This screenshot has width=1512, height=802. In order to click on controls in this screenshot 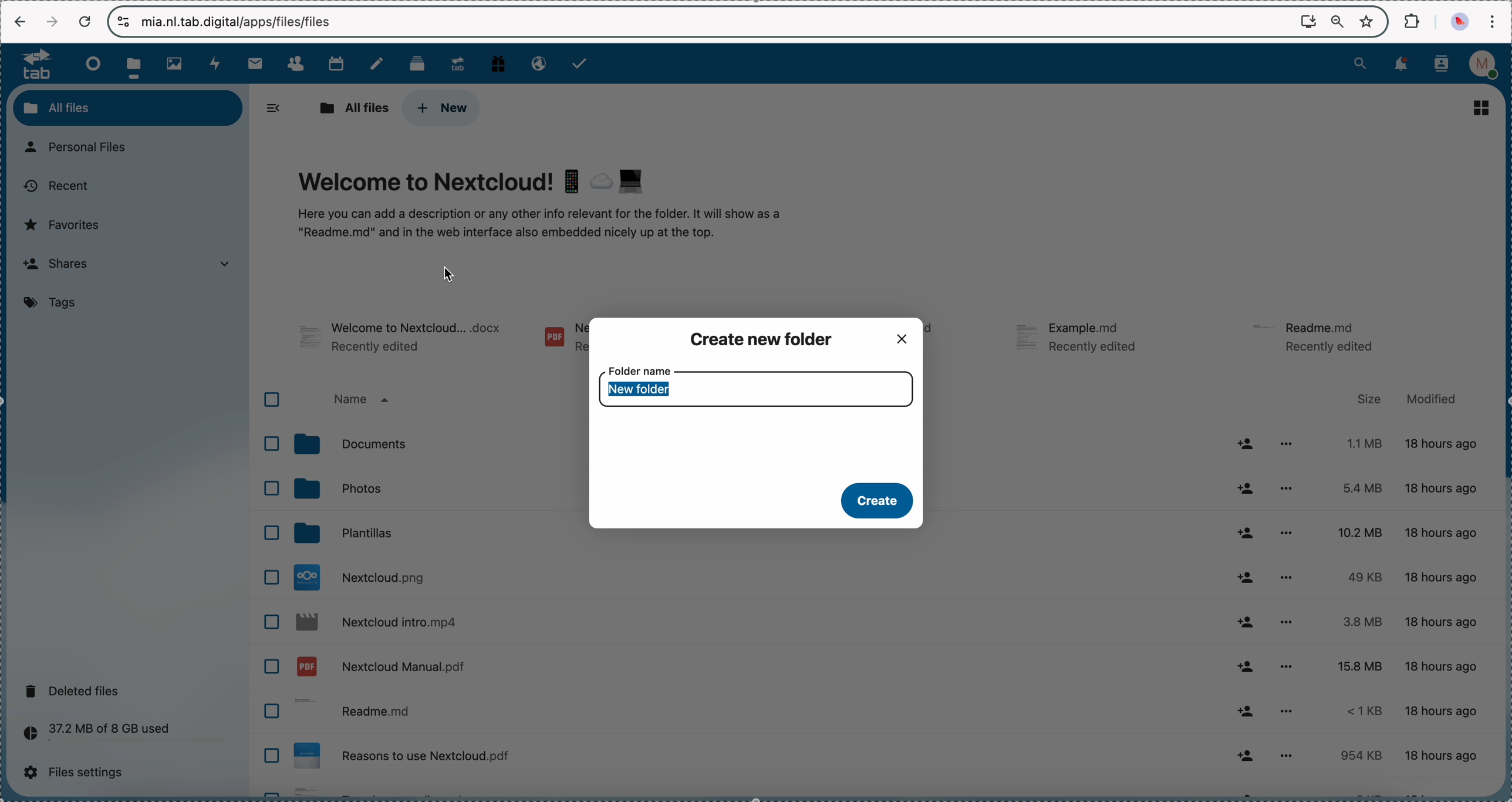, I will do `click(124, 22)`.